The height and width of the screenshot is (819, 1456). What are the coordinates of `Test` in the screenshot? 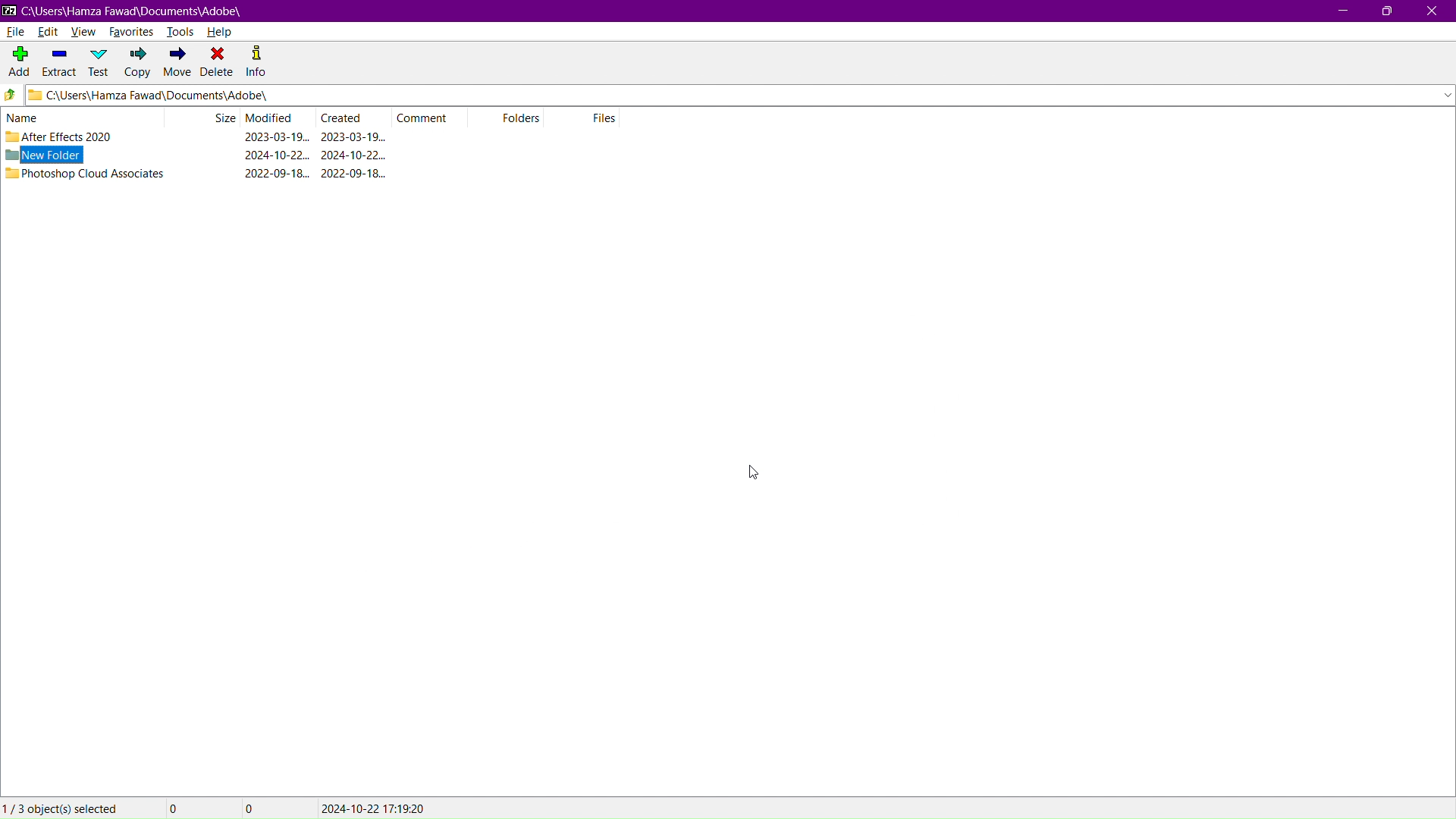 It's located at (98, 62).